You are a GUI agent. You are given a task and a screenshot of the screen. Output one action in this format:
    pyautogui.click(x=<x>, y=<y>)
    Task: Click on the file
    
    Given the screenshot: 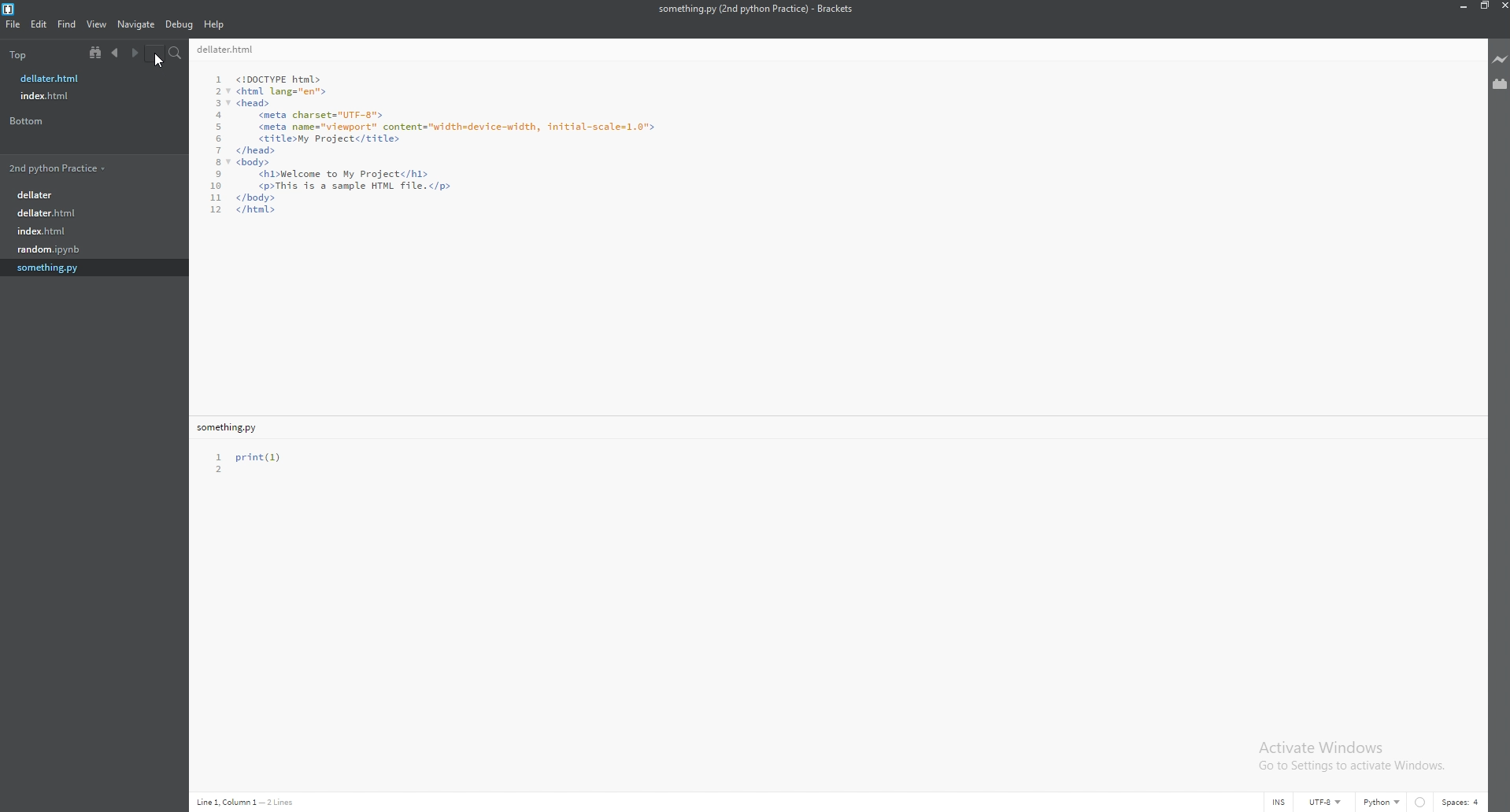 What is the action you would take?
    pyautogui.click(x=95, y=249)
    